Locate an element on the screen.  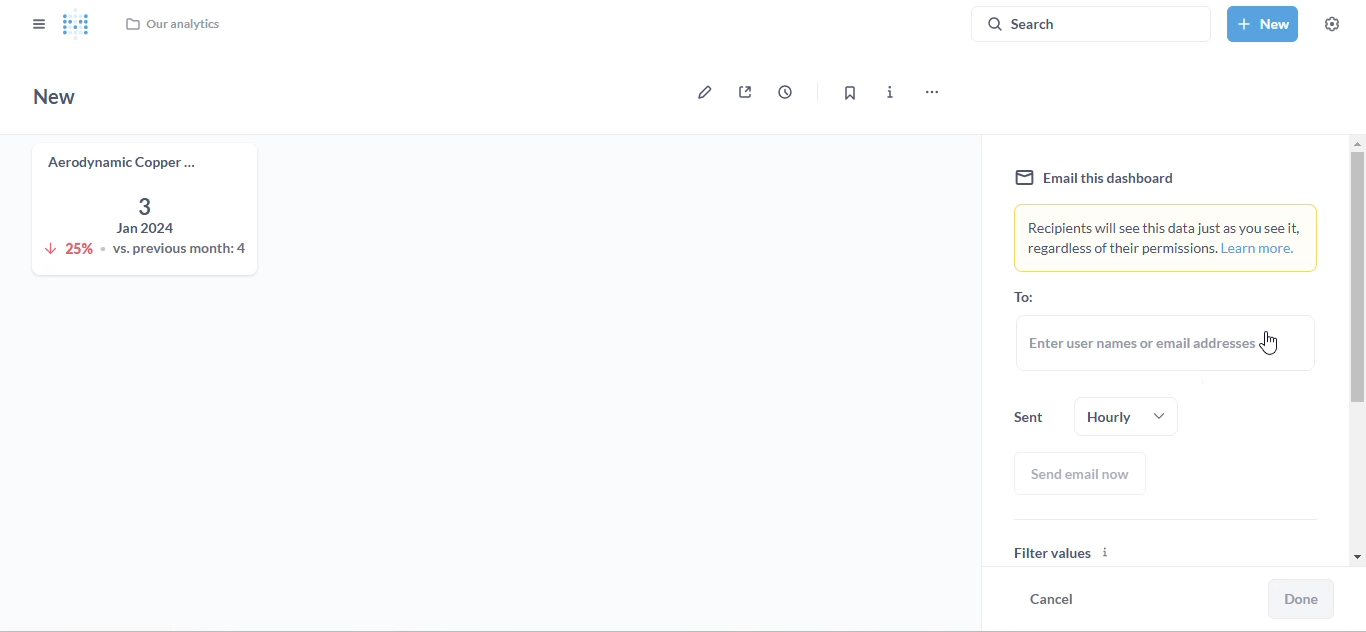
cursor is located at coordinates (1269, 343).